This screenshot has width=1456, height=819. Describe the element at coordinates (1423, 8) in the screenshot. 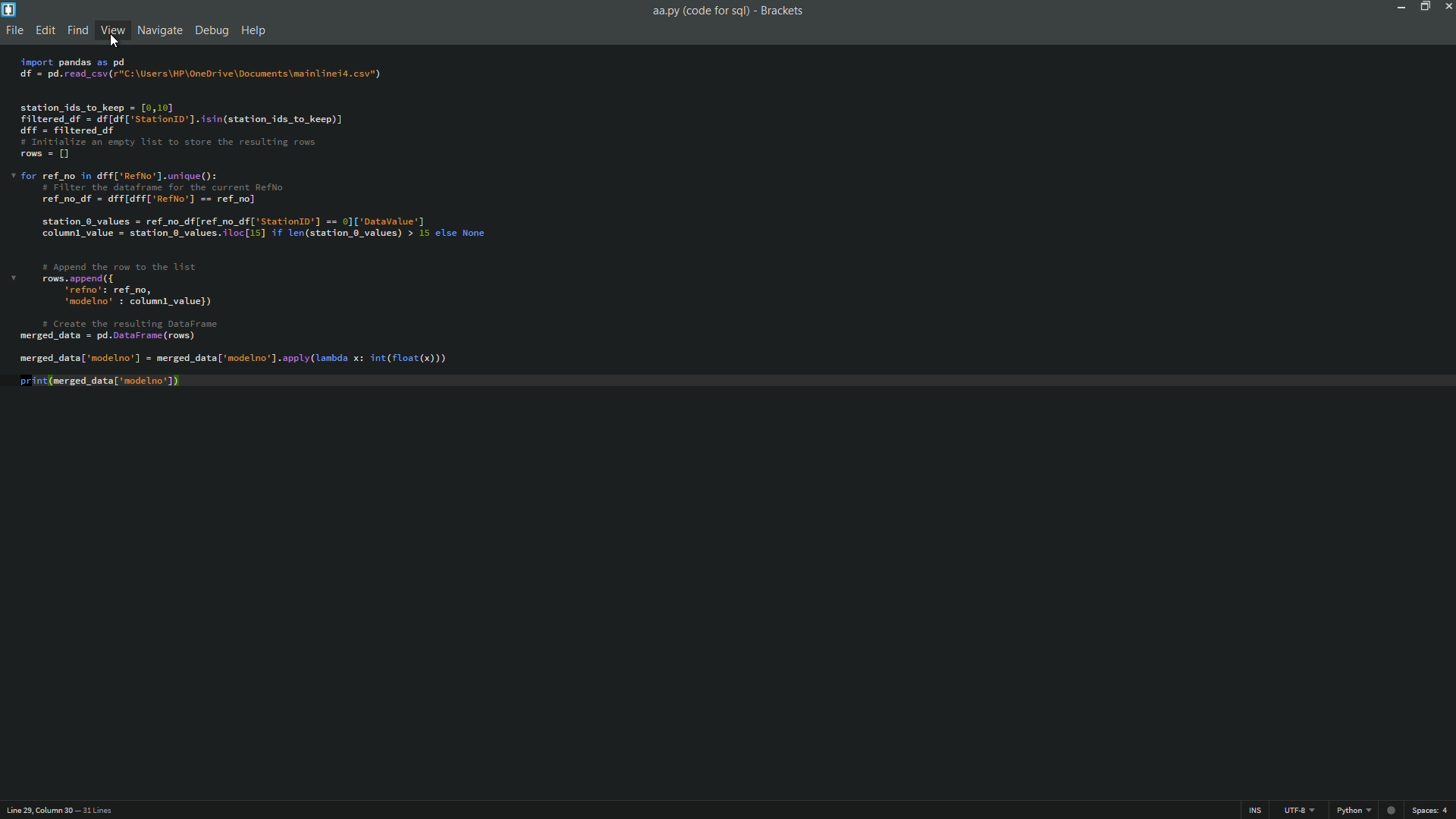

I see `maximize button` at that location.